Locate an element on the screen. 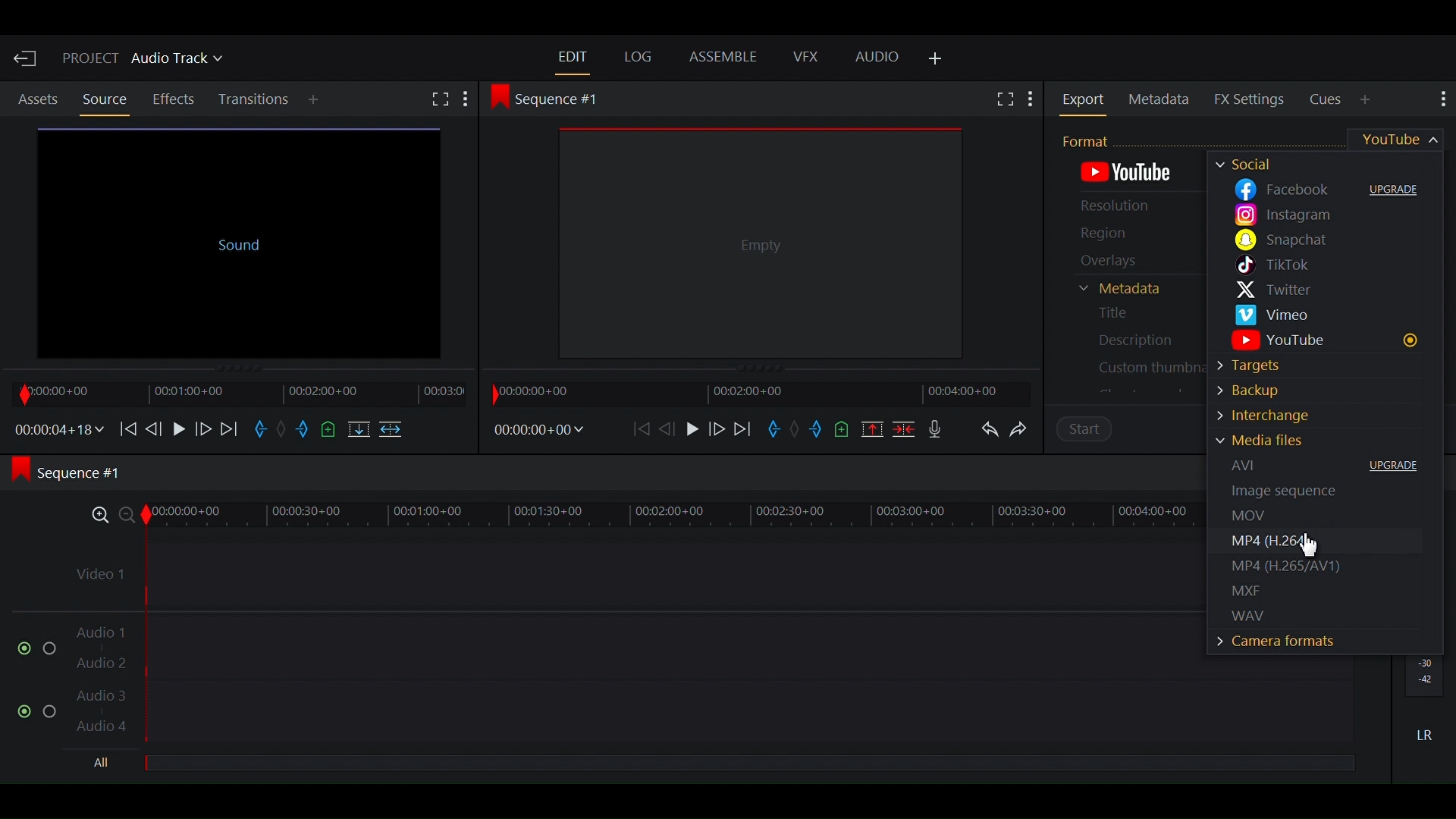 This screenshot has height=819, width=1456. Socials is located at coordinates (1247, 164).